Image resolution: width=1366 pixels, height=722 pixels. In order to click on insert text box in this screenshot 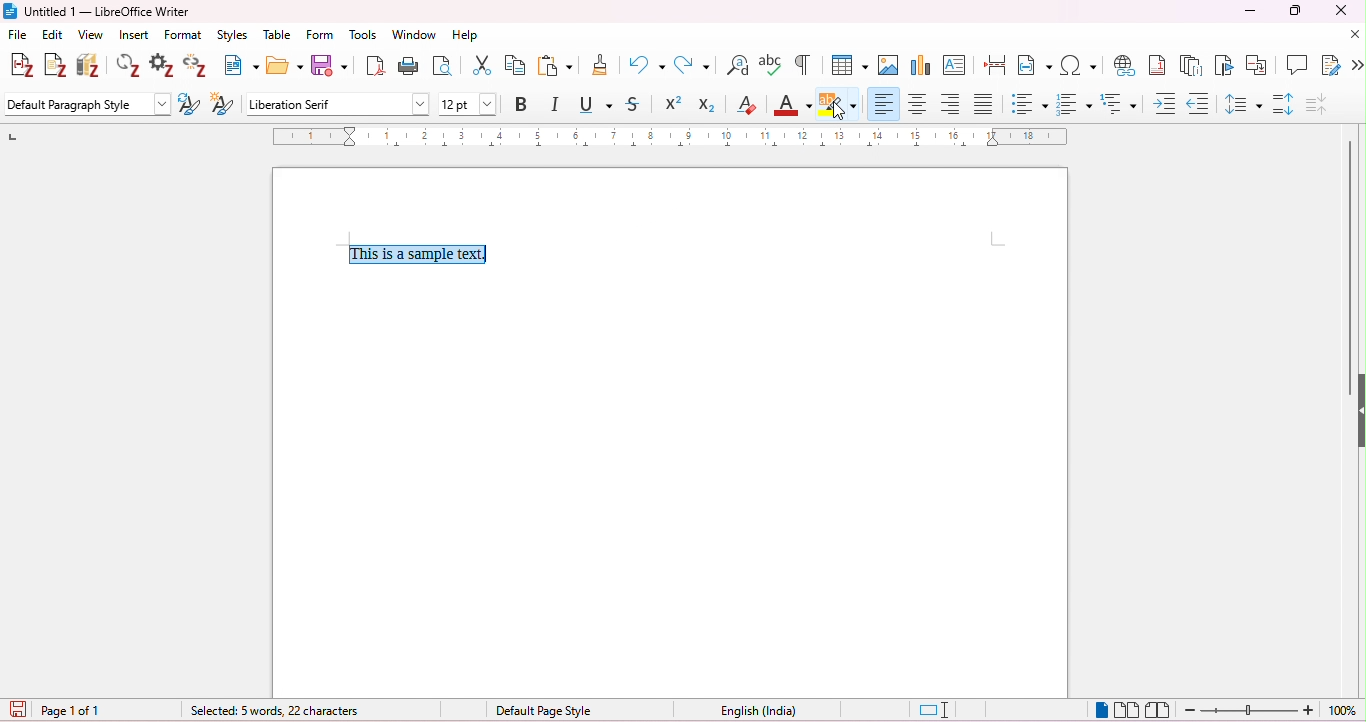, I will do `click(955, 67)`.